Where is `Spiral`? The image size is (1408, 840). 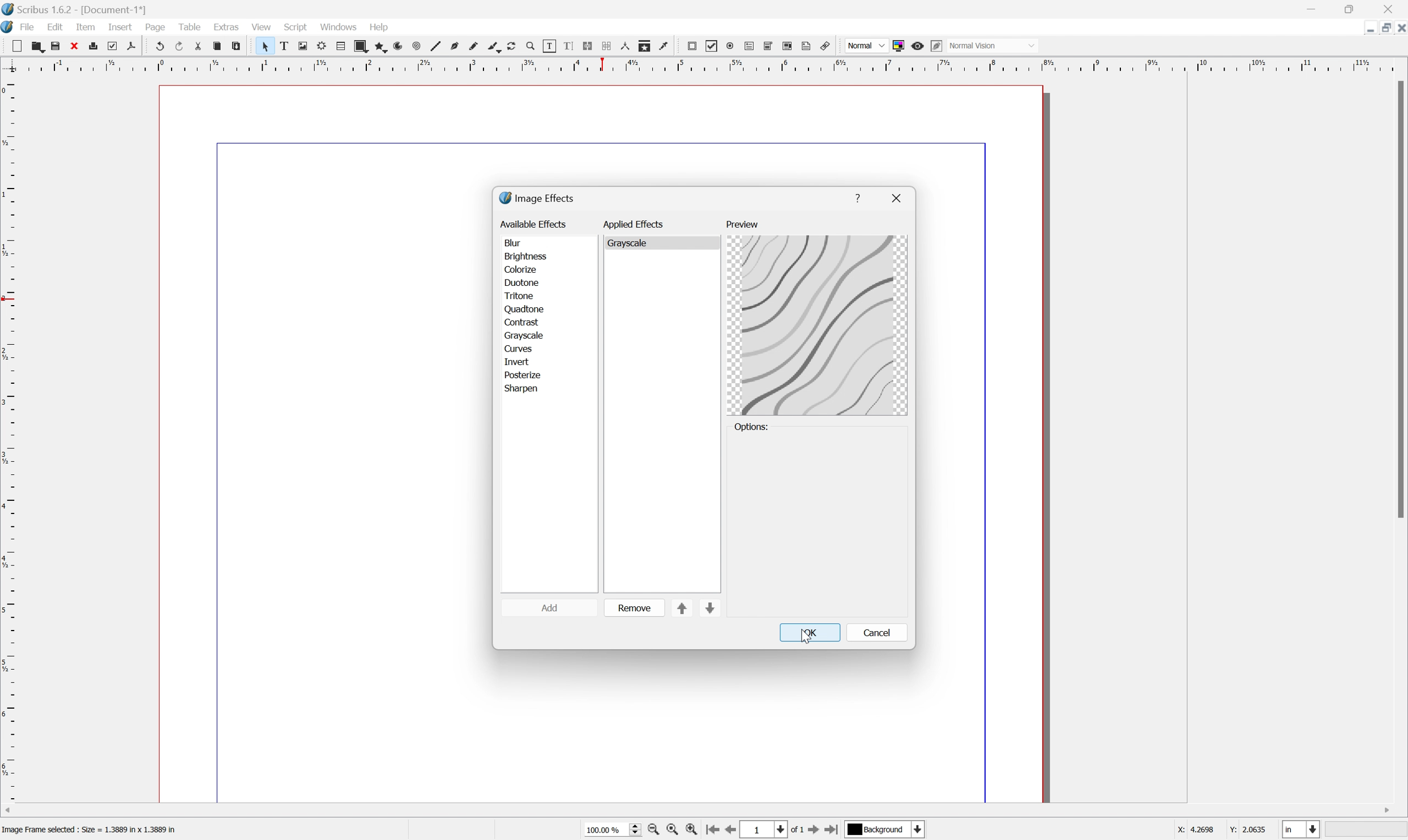
Spiral is located at coordinates (421, 47).